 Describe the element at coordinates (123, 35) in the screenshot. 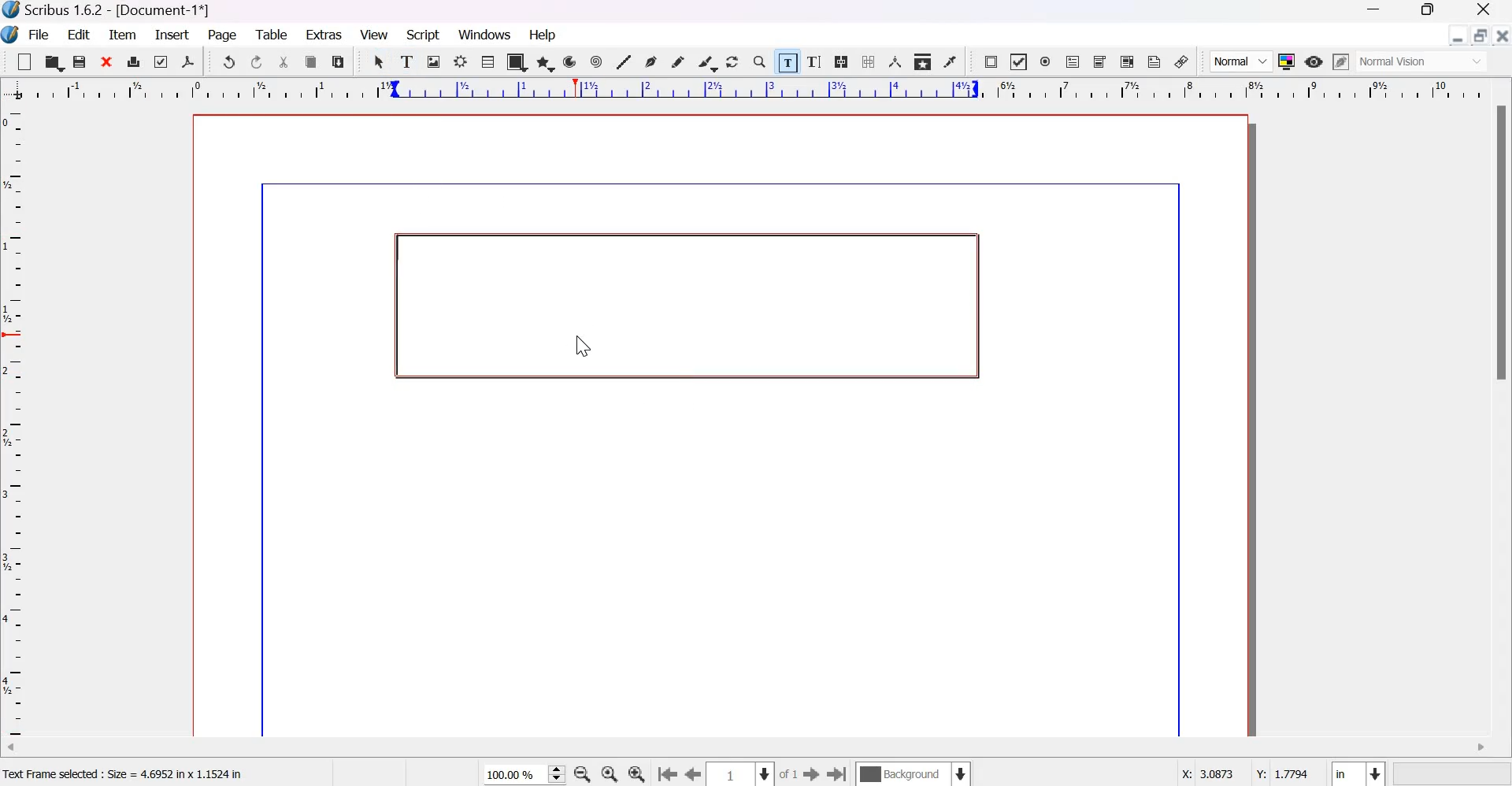

I see `Item` at that location.